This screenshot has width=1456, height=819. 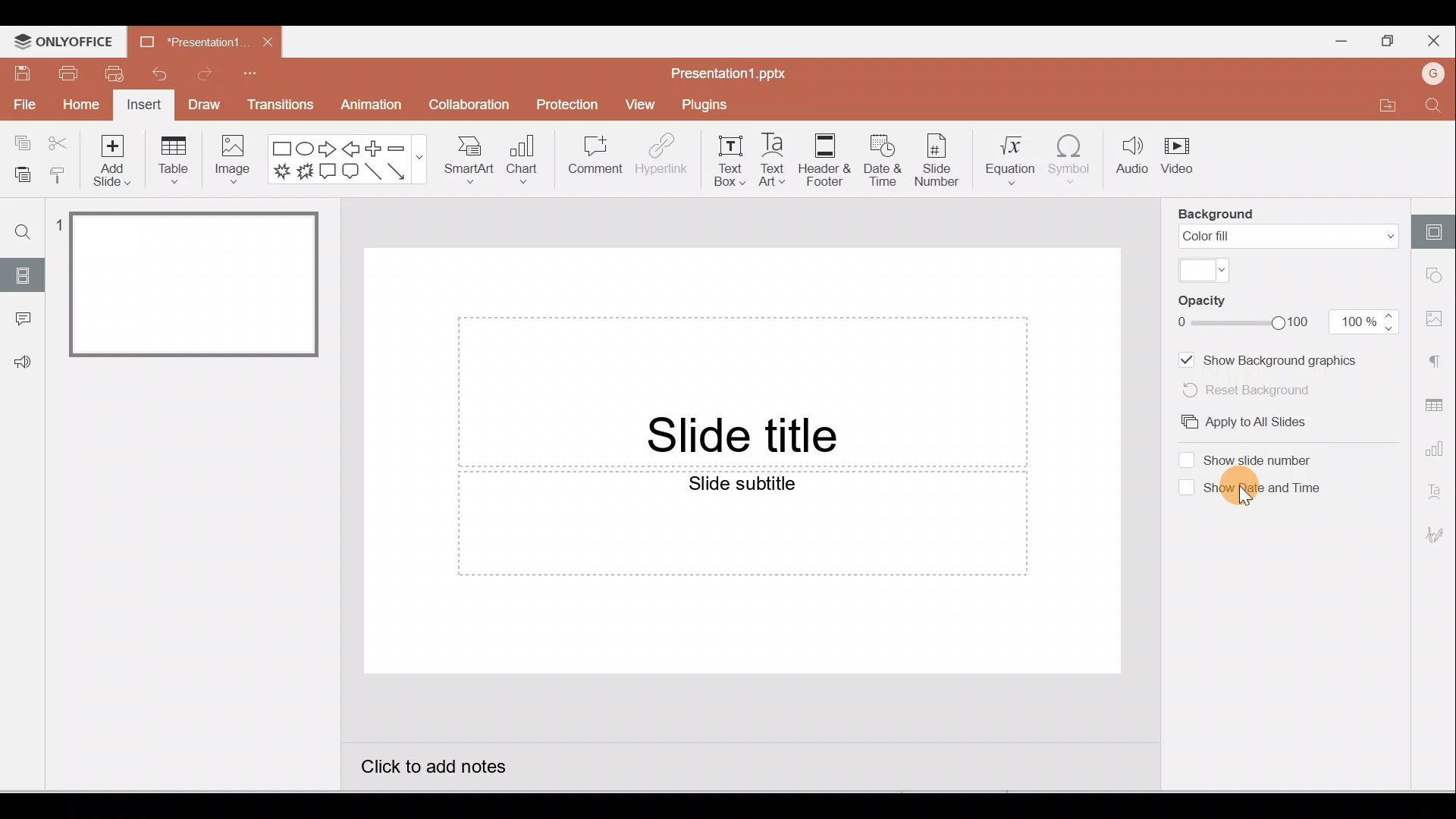 I want to click on Insert, so click(x=143, y=106).